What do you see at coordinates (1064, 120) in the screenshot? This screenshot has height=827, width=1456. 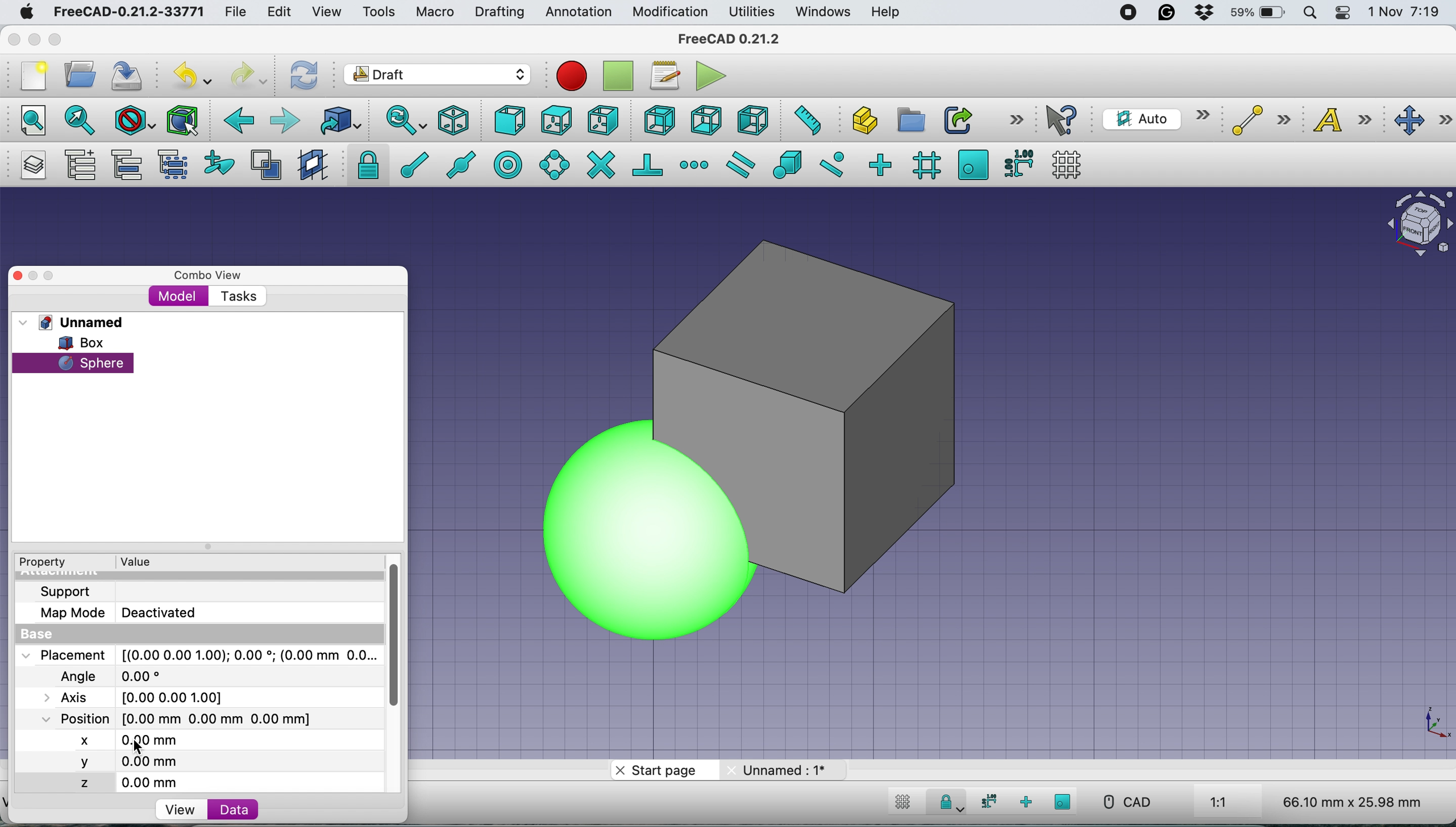 I see `what's this` at bounding box center [1064, 120].